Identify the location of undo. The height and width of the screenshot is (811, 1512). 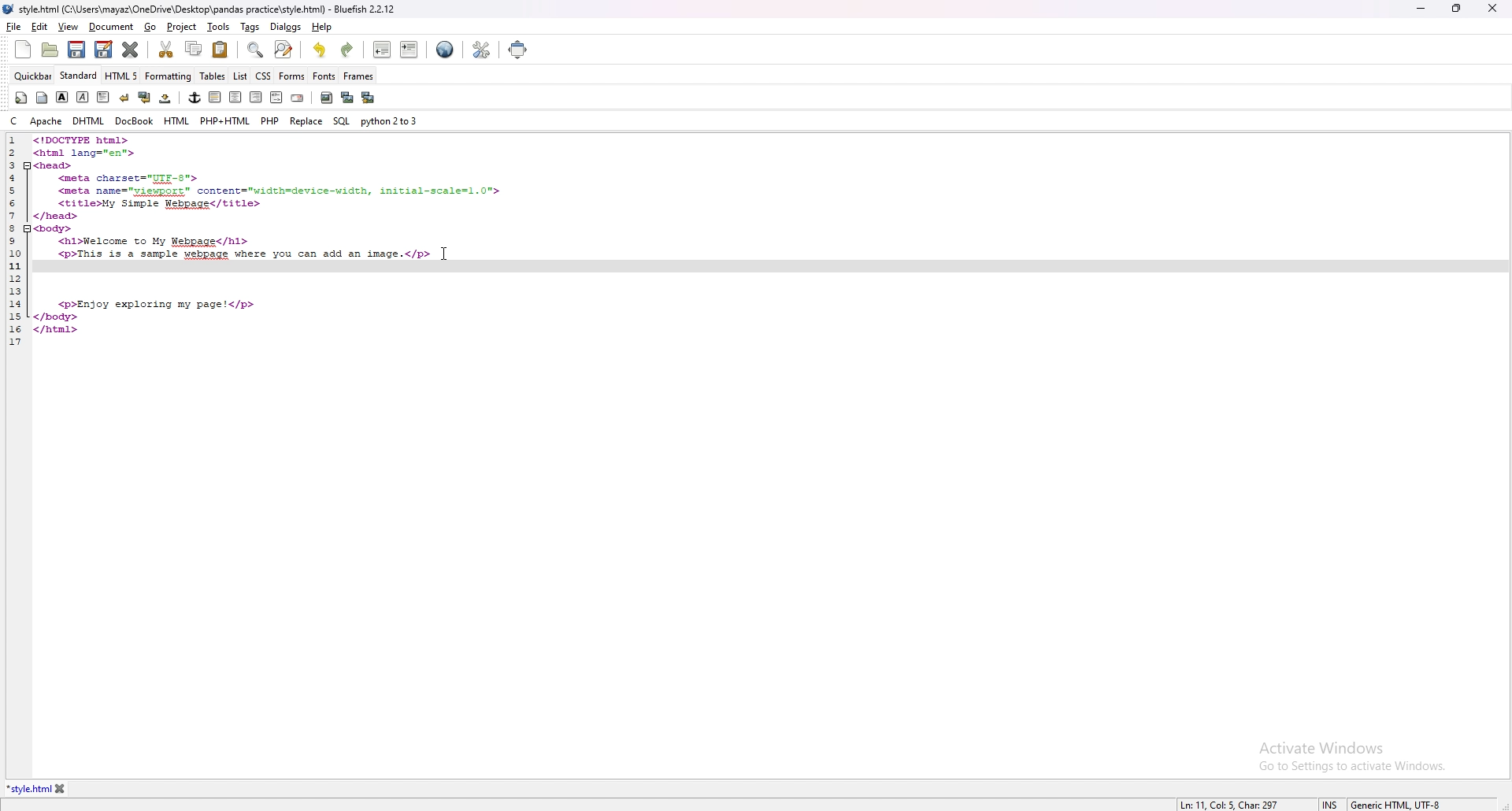
(320, 50).